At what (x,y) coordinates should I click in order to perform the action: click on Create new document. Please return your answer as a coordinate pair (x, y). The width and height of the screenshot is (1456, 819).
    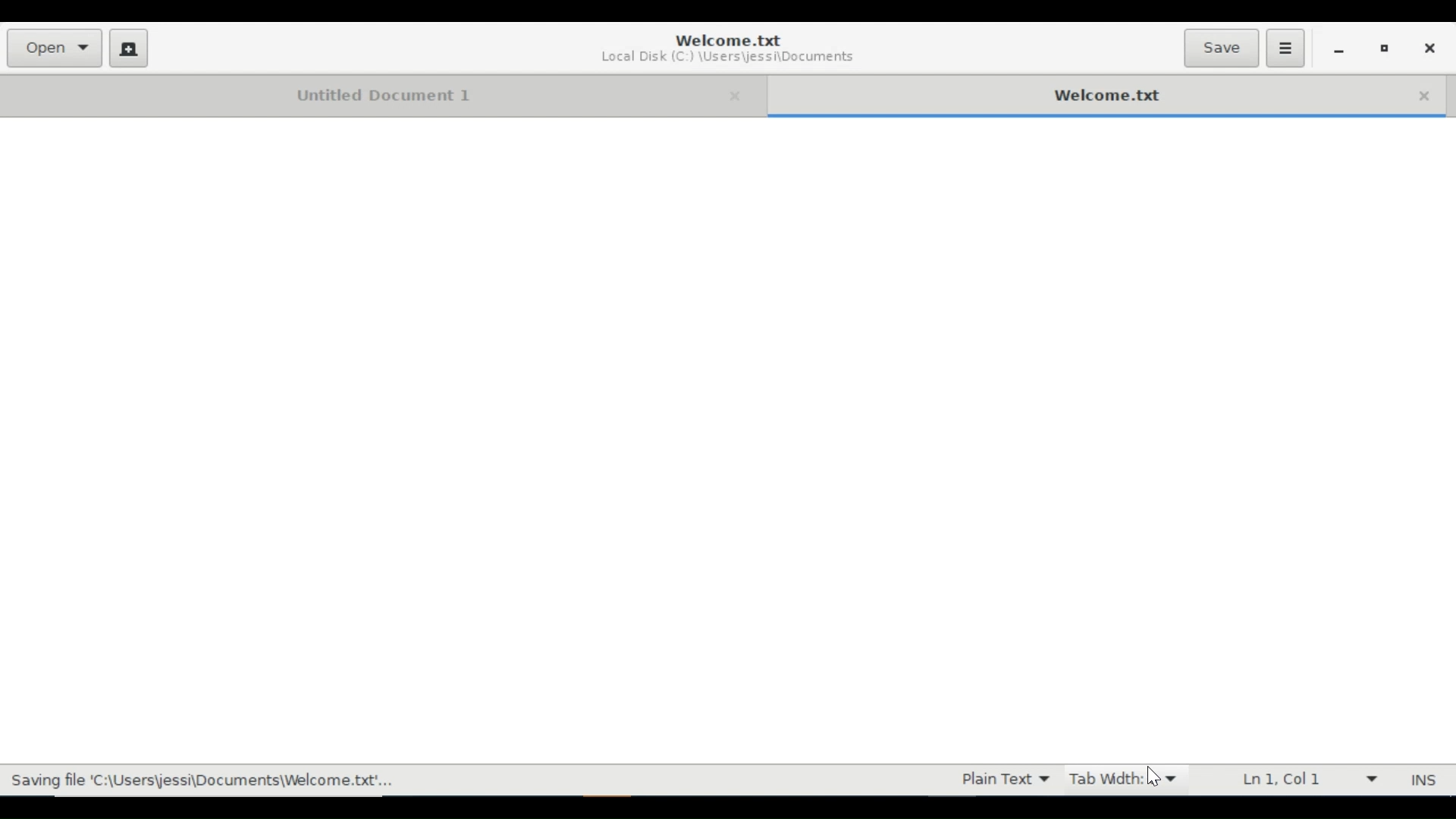
    Looking at the image, I should click on (128, 47).